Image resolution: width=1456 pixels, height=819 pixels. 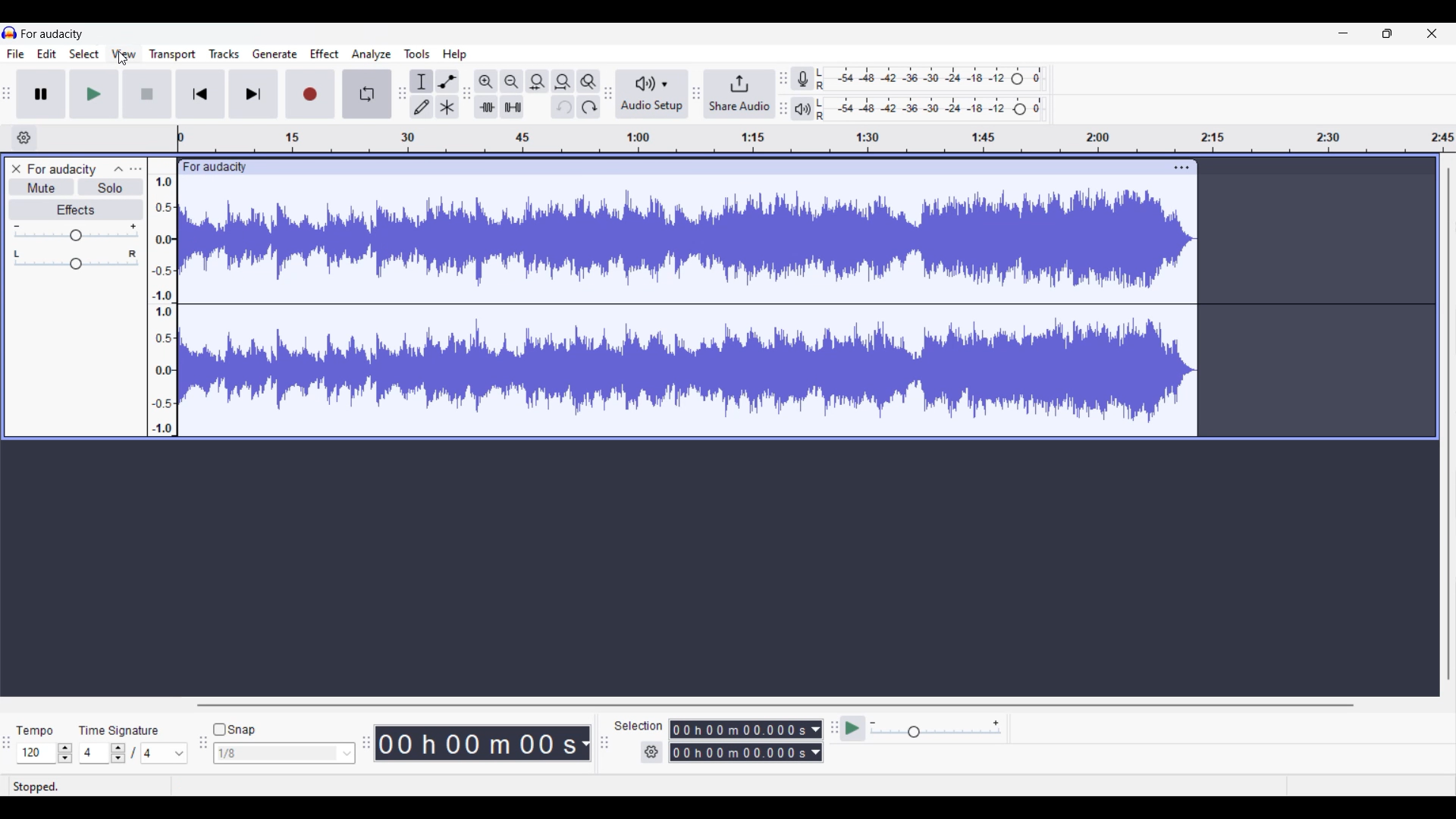 What do you see at coordinates (123, 59) in the screenshot?
I see `cursor` at bounding box center [123, 59].